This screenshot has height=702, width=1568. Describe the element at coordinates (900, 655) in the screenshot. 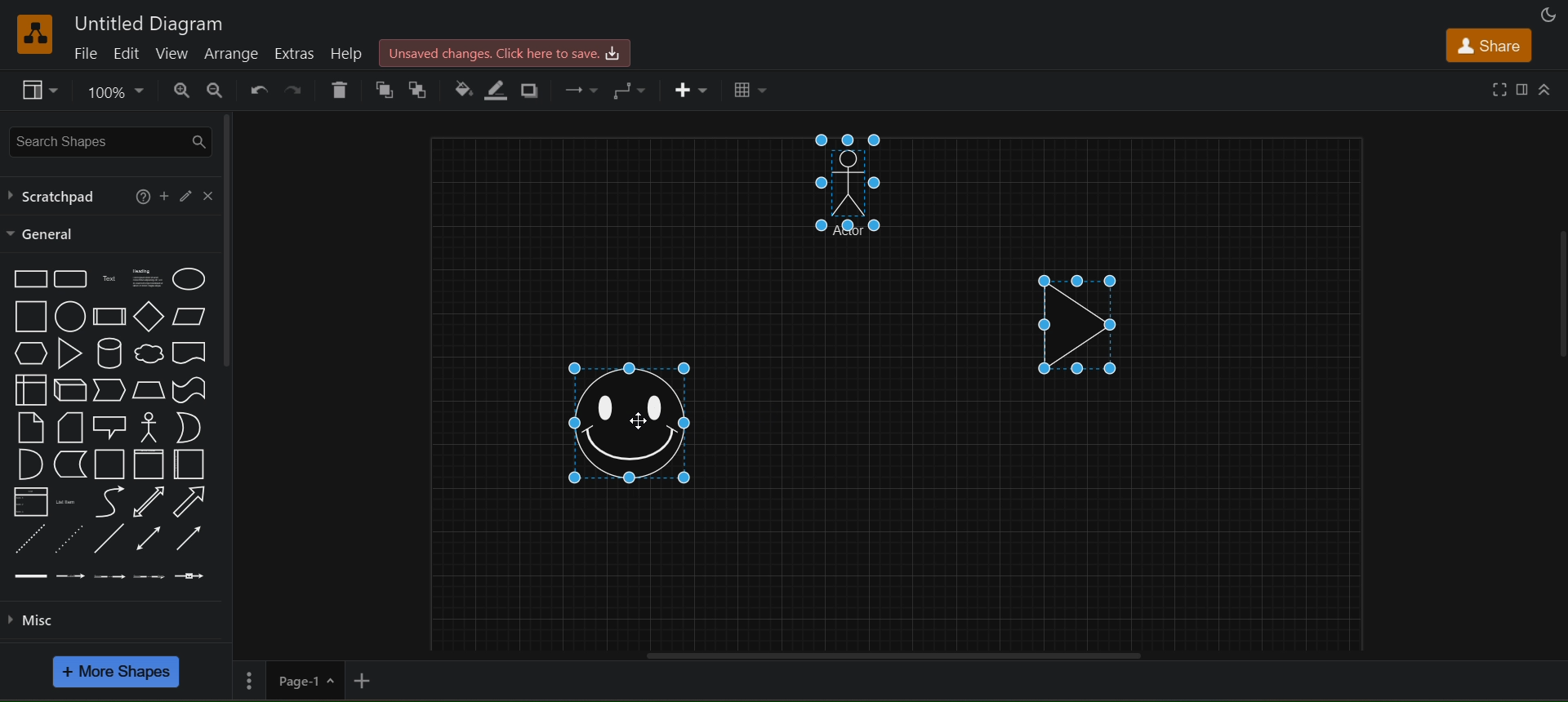

I see `horizontal scroll bar` at that location.